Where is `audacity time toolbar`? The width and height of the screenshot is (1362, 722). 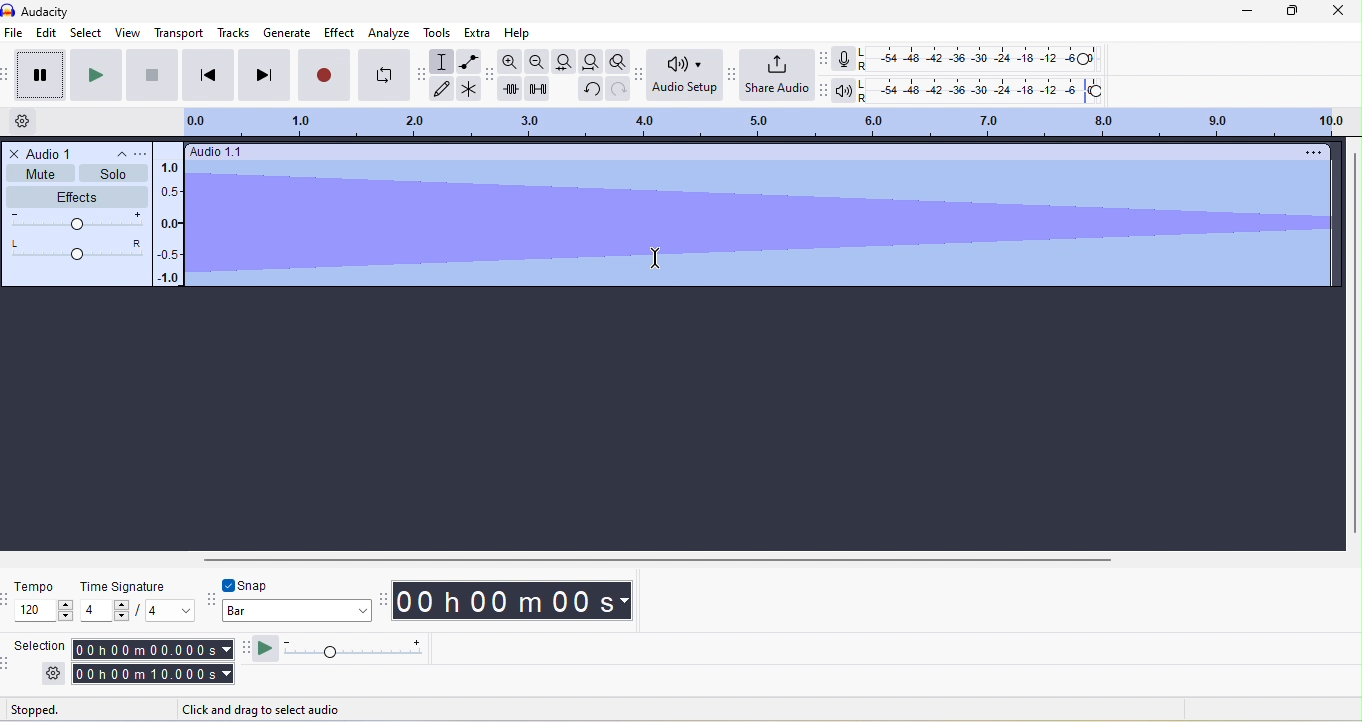
audacity time toolbar is located at coordinates (384, 598).